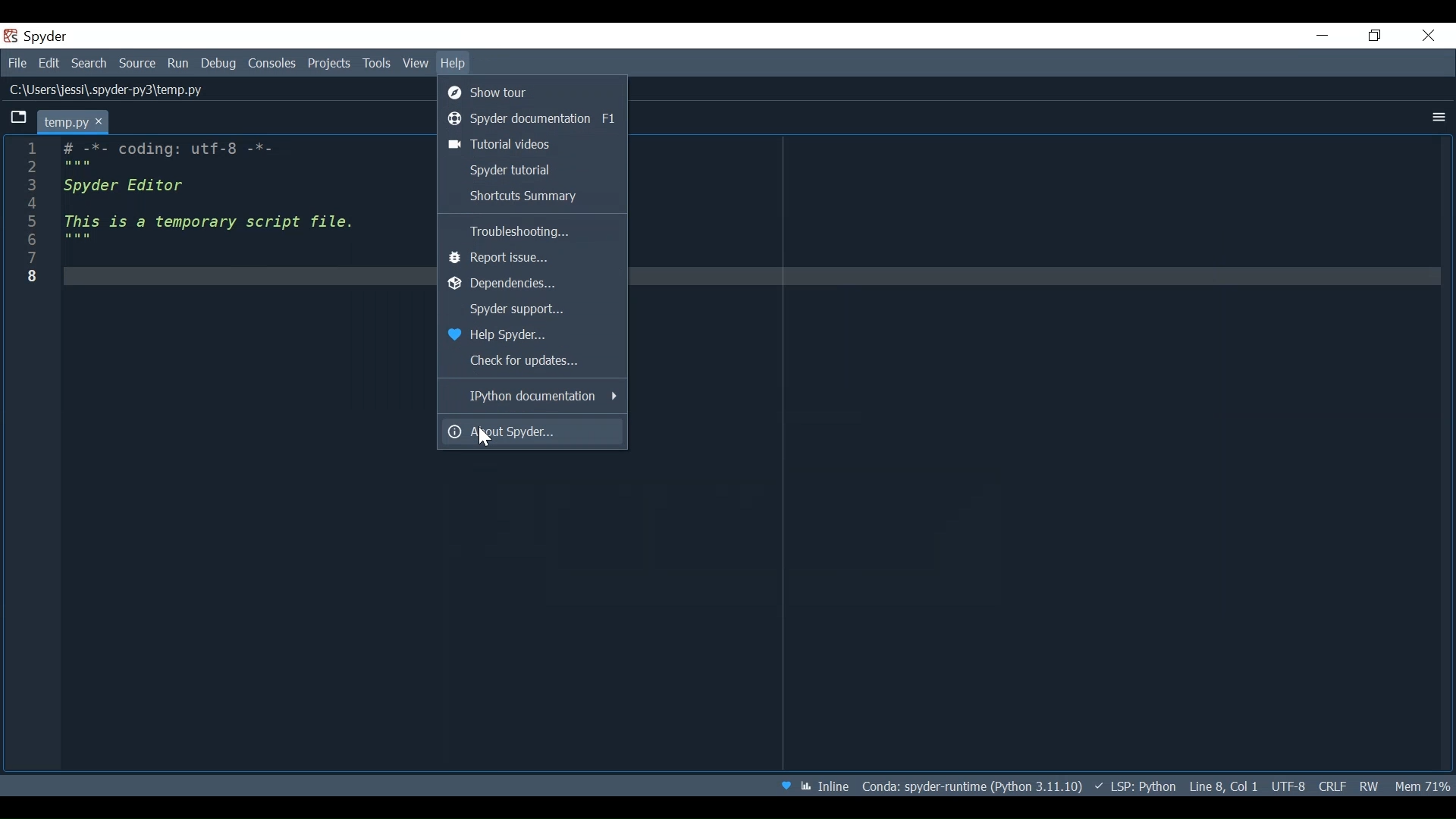 The height and width of the screenshot is (819, 1456). I want to click on Browse Tabs, so click(17, 119).